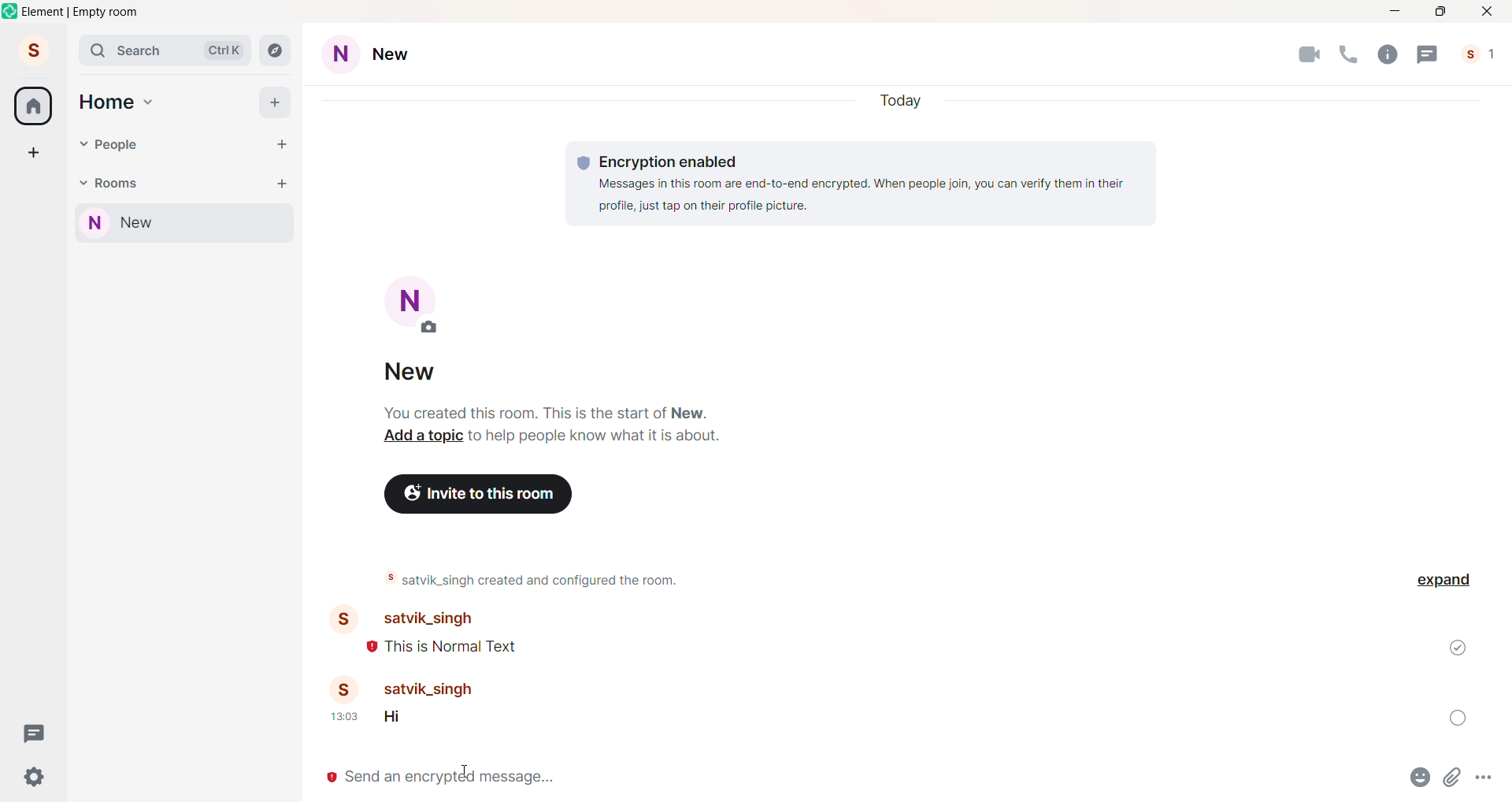 The height and width of the screenshot is (802, 1512). Describe the element at coordinates (904, 98) in the screenshot. I see `Today` at that location.